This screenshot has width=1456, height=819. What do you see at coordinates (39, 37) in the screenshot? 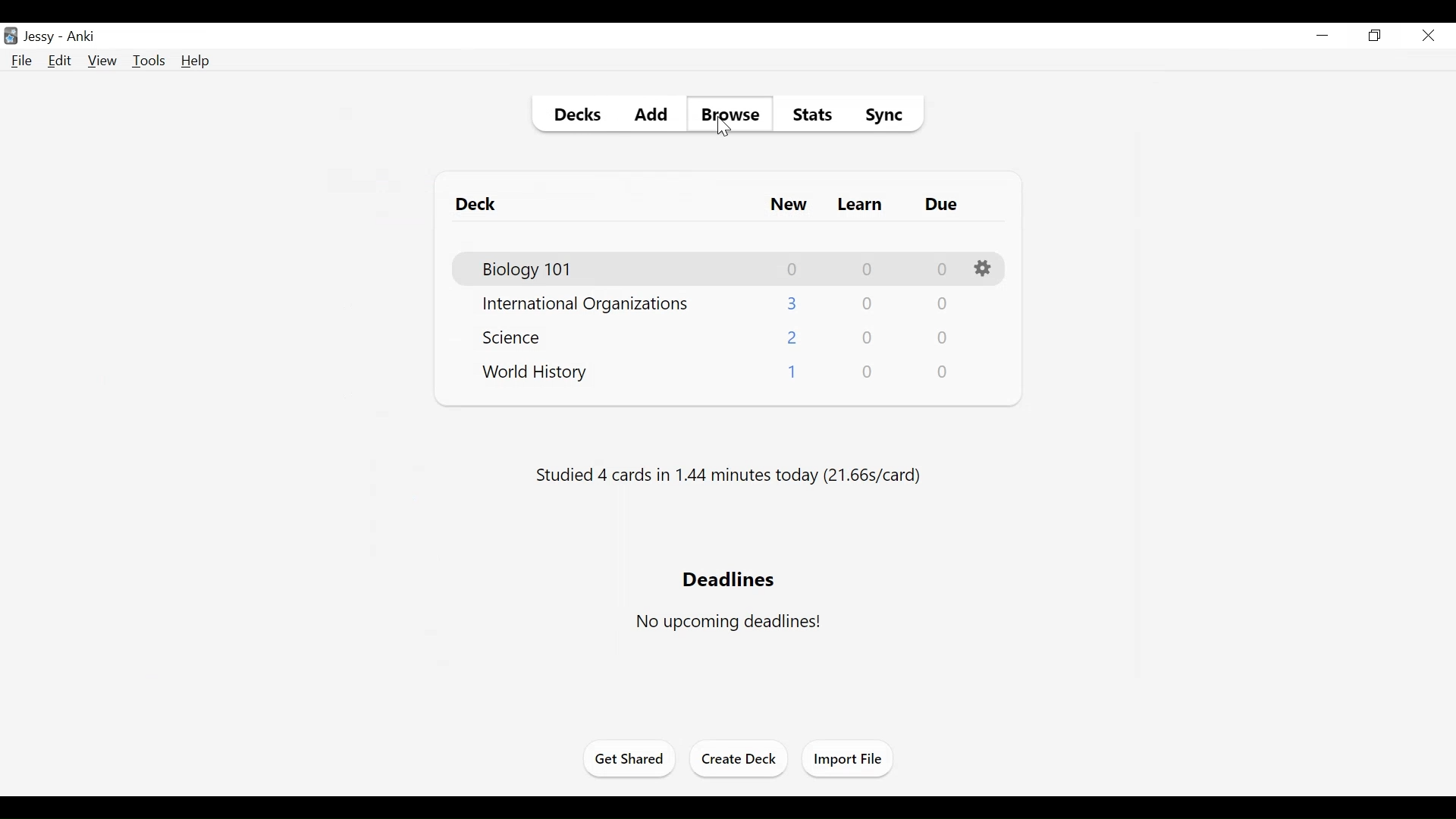
I see `User Name` at bounding box center [39, 37].